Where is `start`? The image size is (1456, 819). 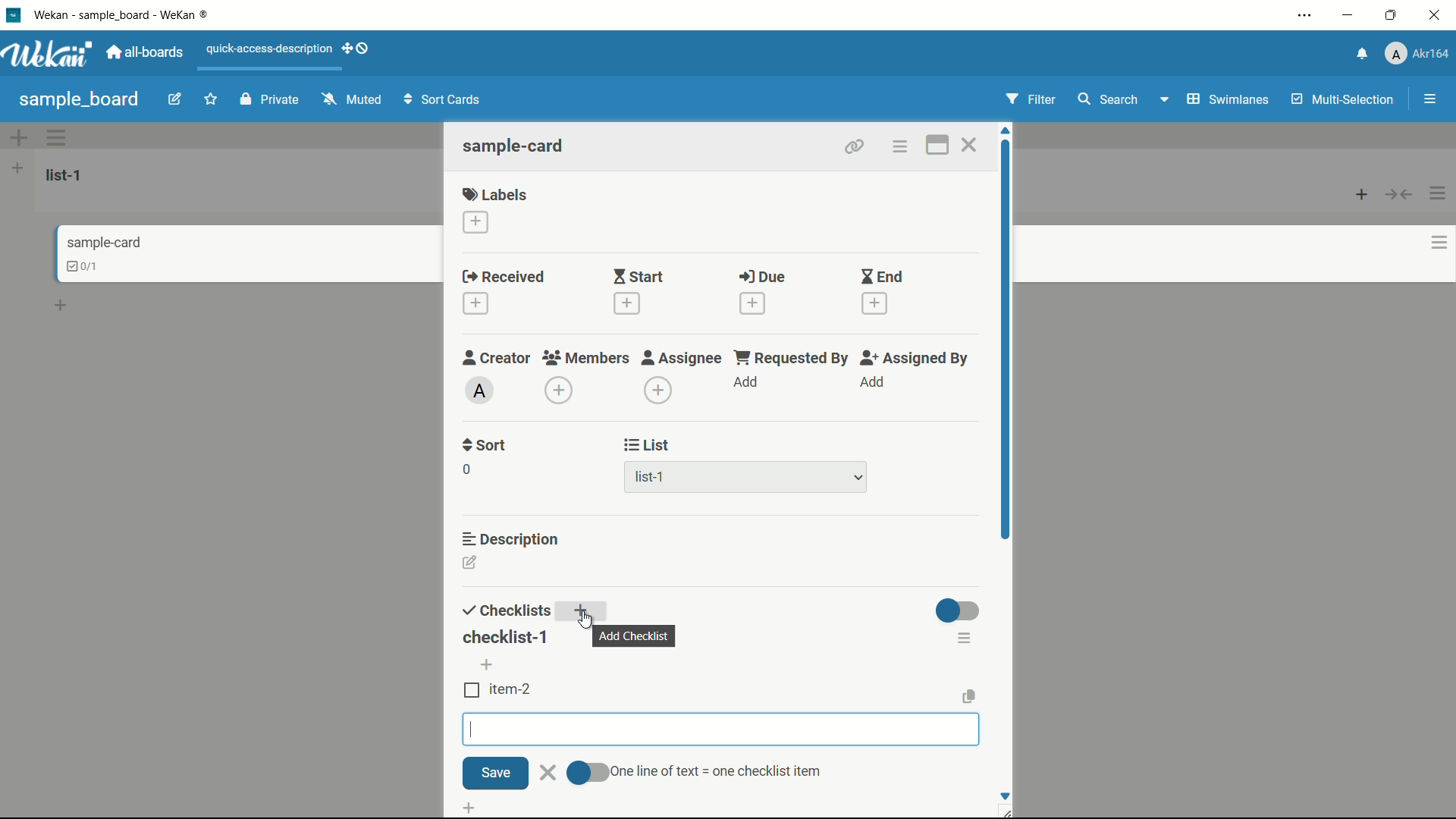 start is located at coordinates (638, 278).